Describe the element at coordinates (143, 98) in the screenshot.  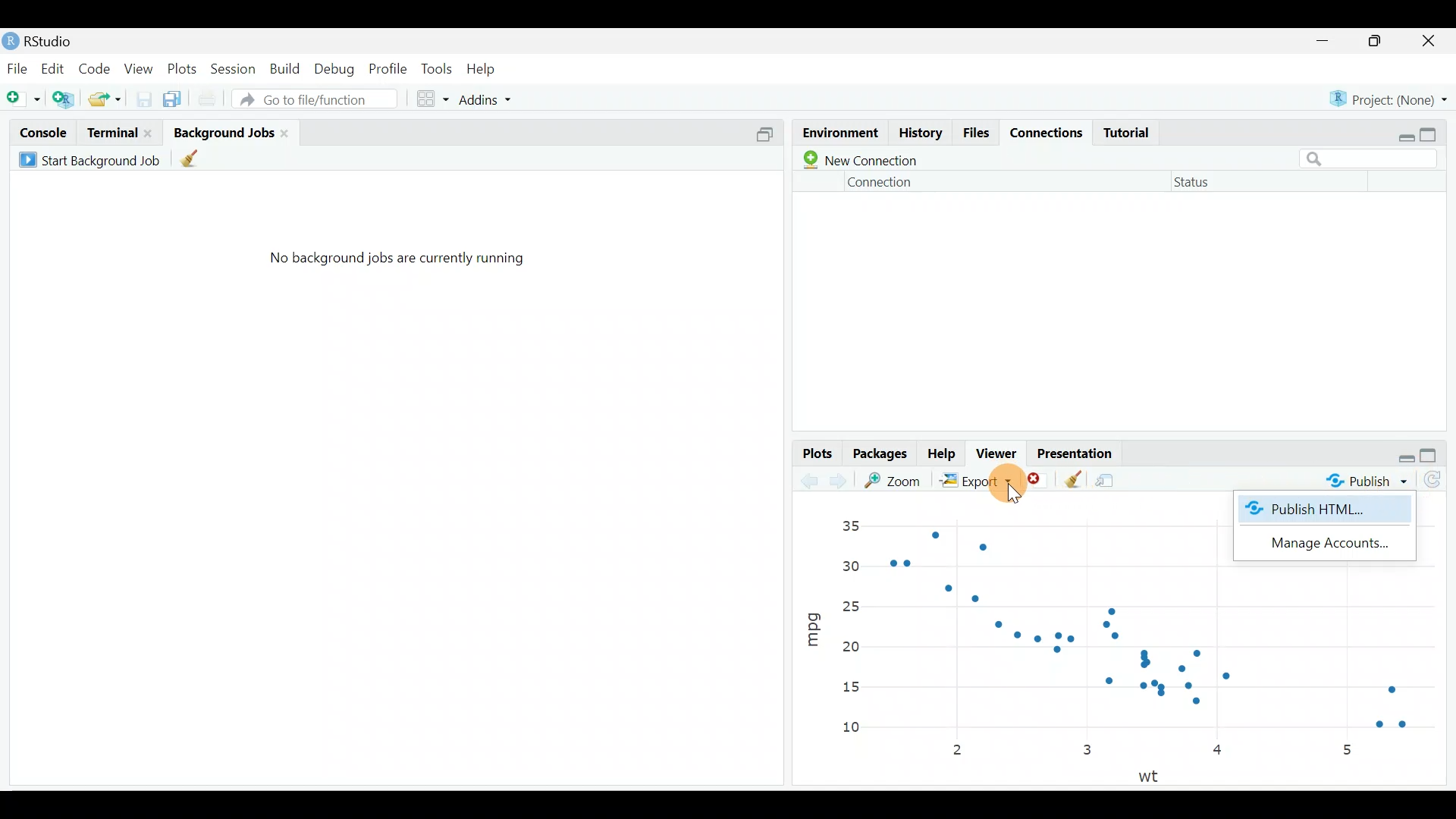
I see `Save current document` at that location.